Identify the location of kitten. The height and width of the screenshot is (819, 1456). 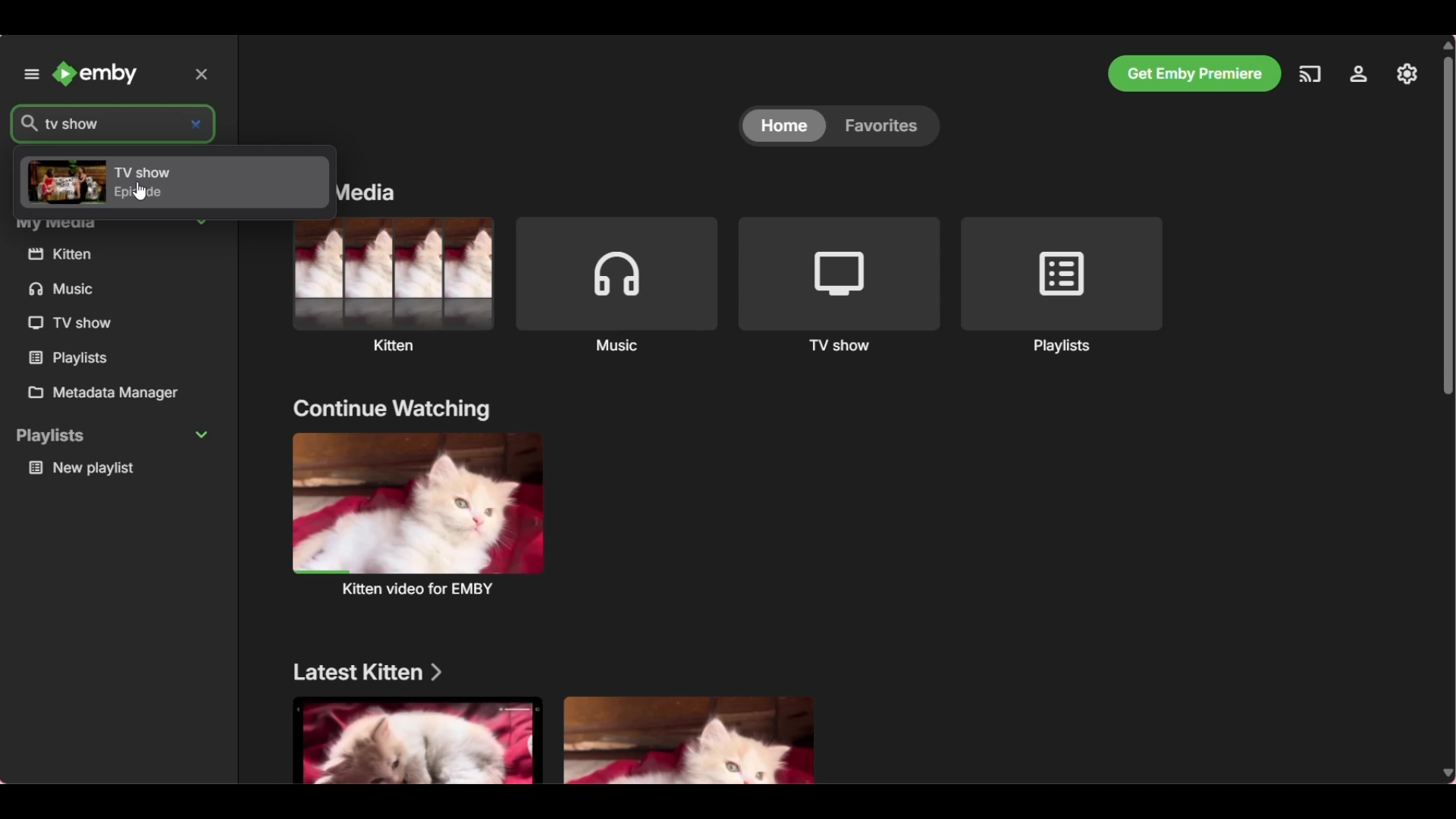
(103, 254).